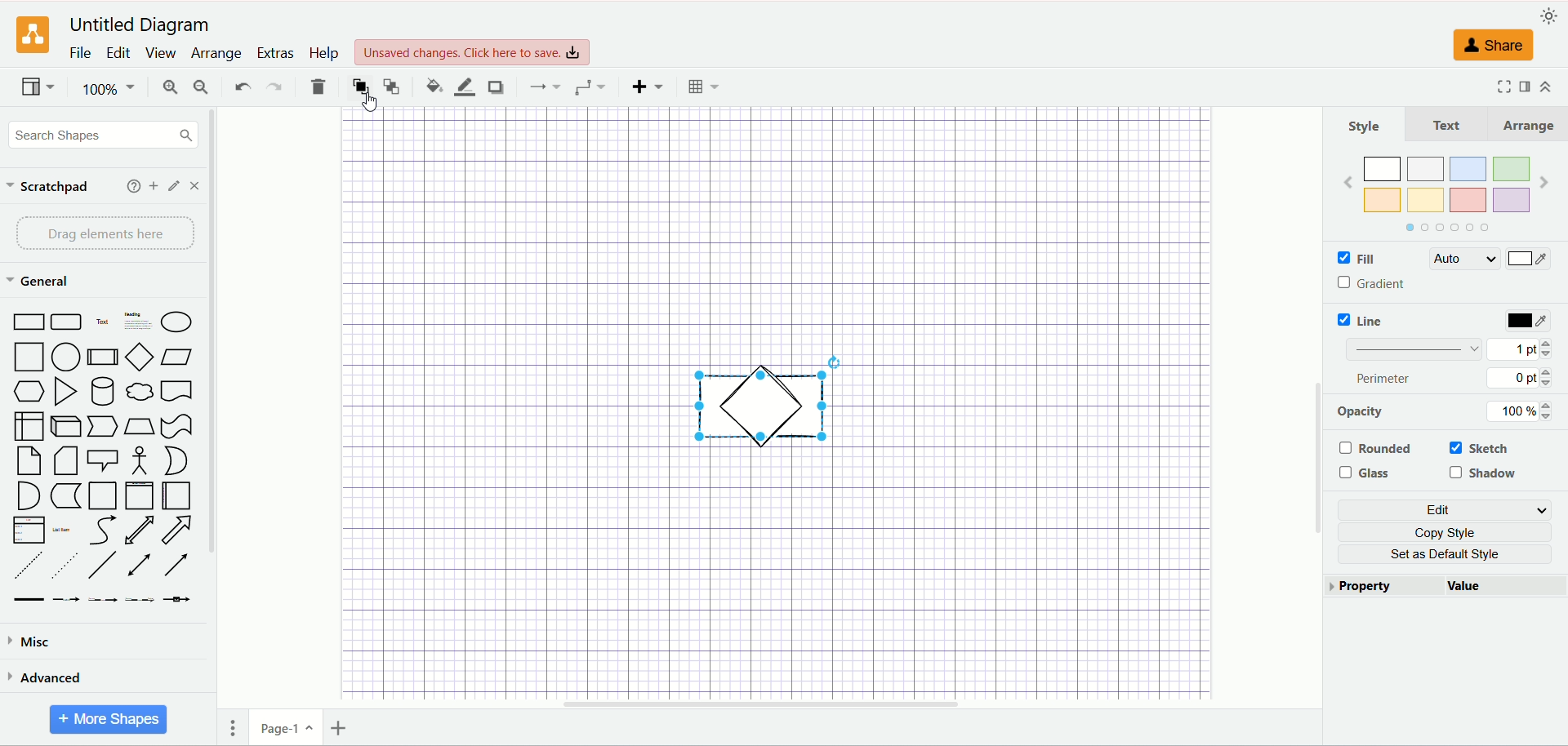  Describe the element at coordinates (103, 460) in the screenshot. I see `Callout` at that location.